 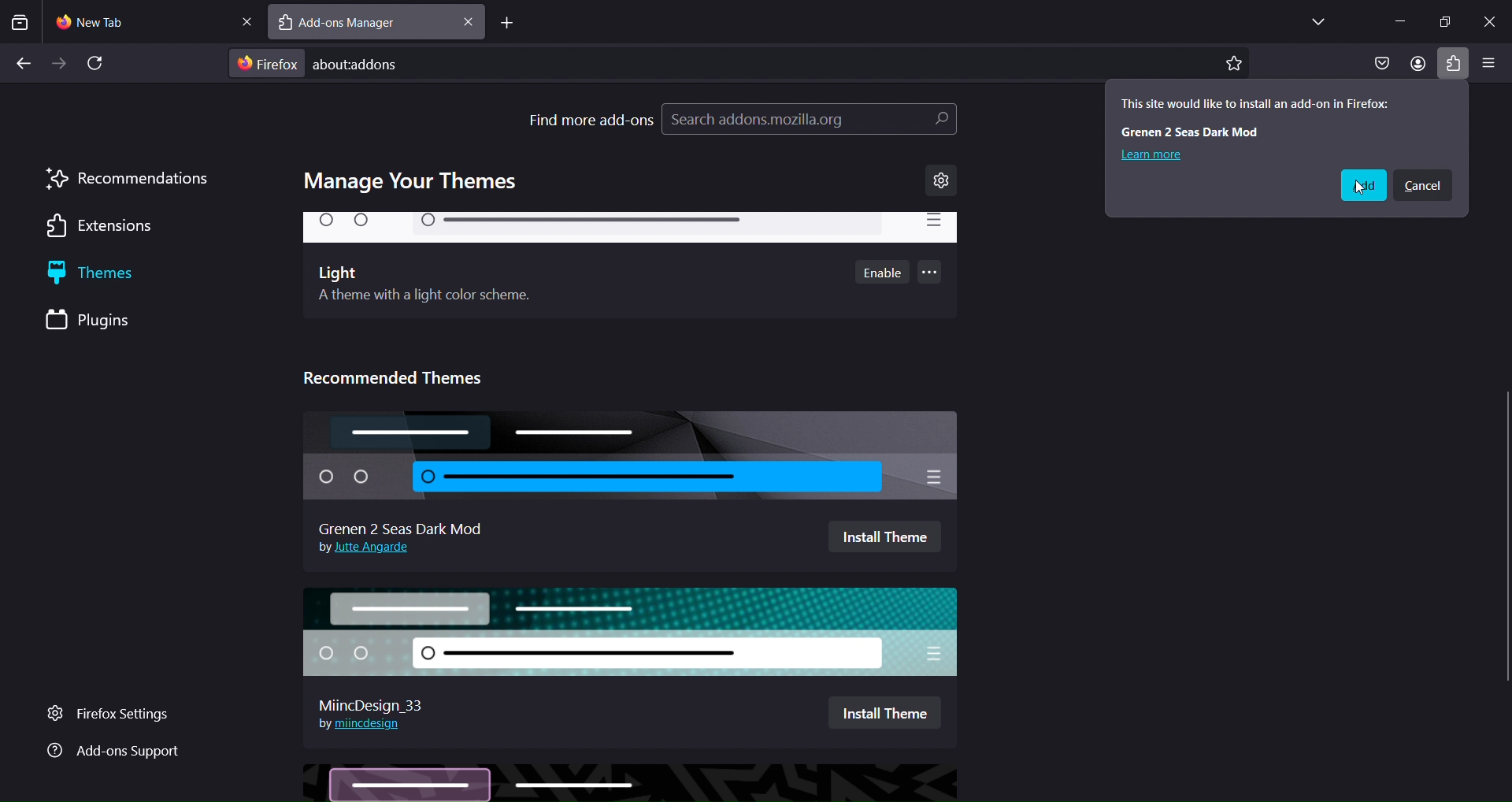 I want to click on bookmark page, so click(x=1234, y=64).